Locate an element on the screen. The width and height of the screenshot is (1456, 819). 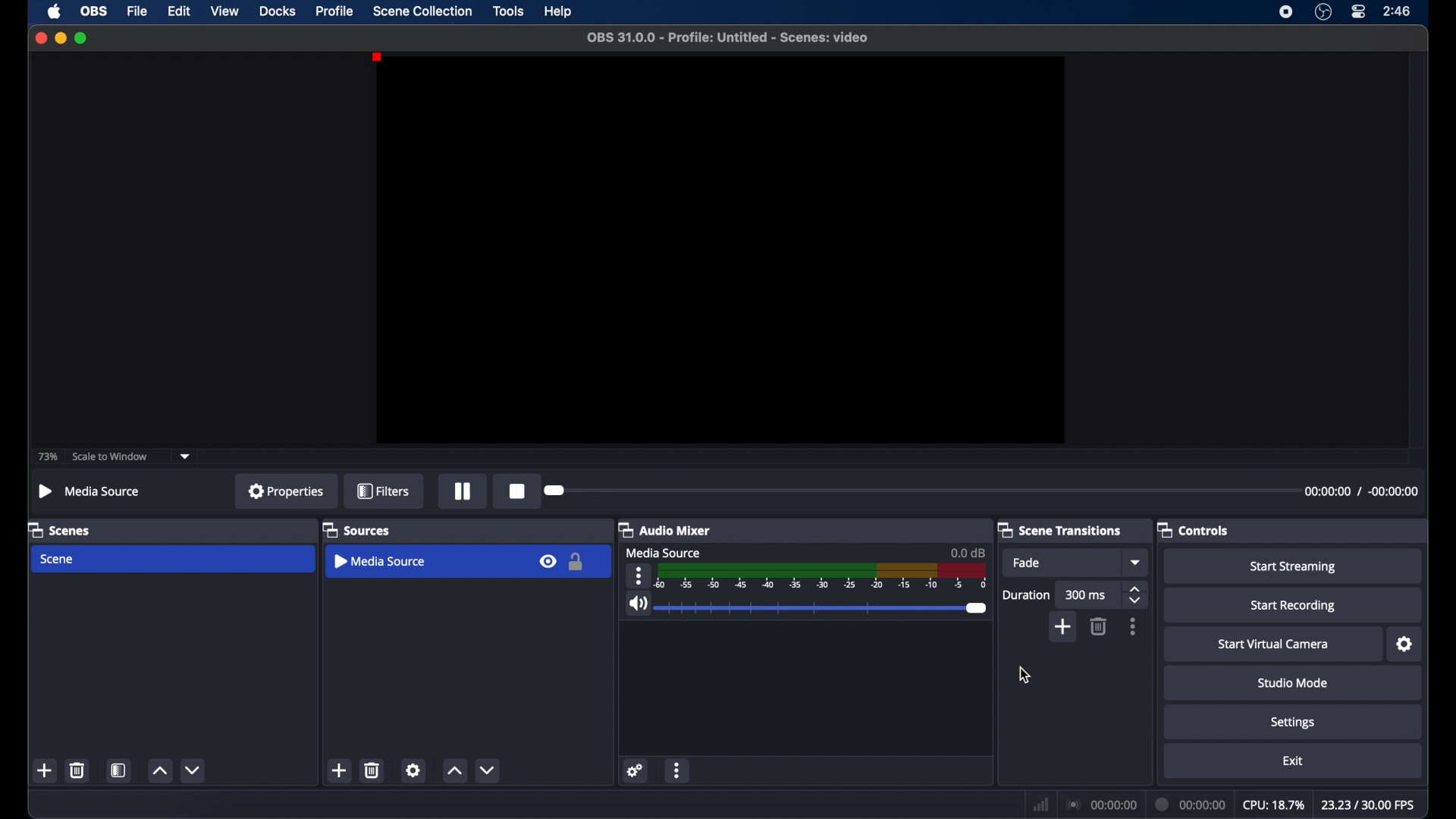
start recording is located at coordinates (1294, 606).